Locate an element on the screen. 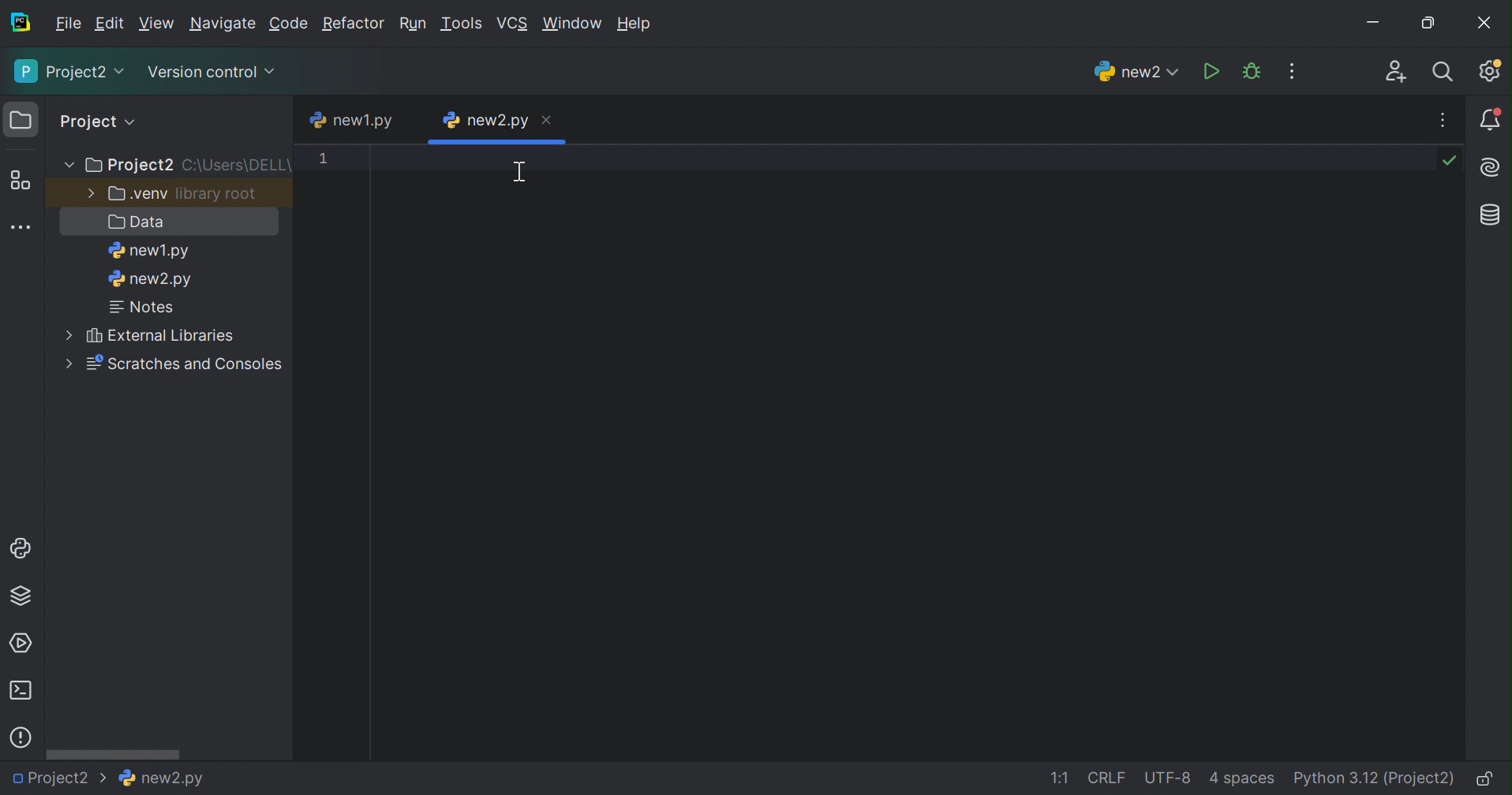  .venv is located at coordinates (137, 195).